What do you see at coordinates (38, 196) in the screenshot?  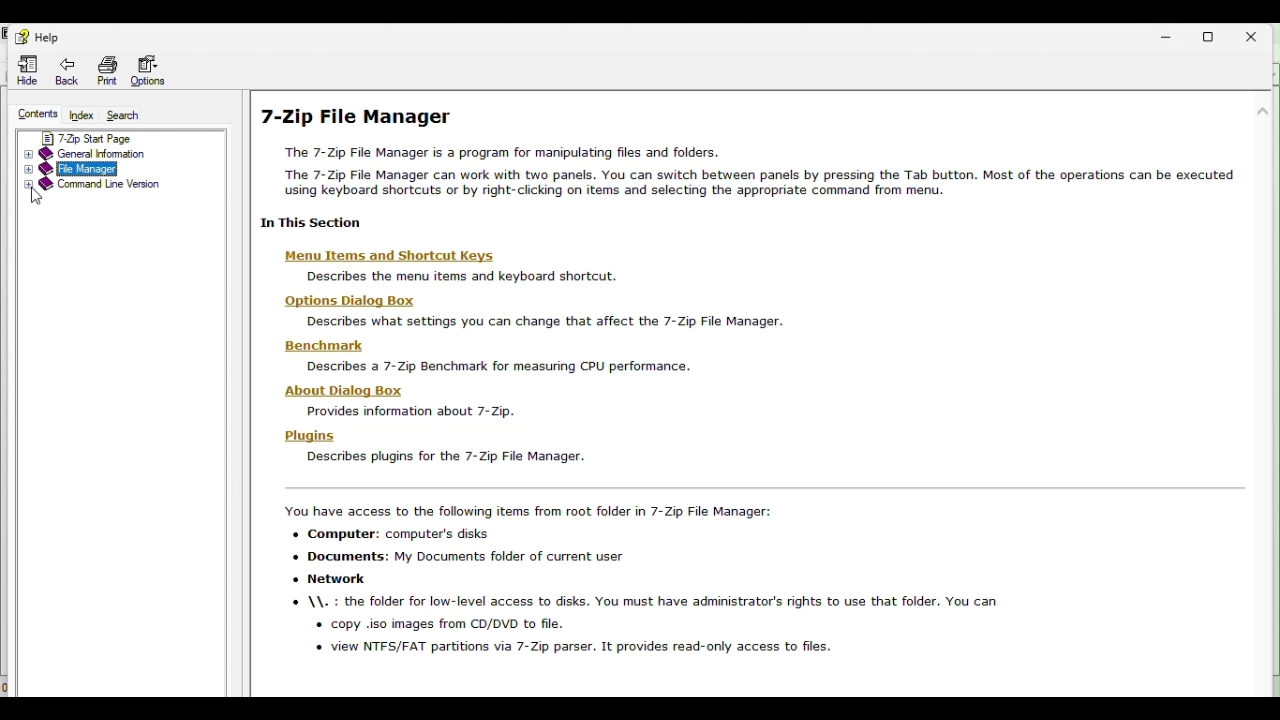 I see `Cursor` at bounding box center [38, 196].